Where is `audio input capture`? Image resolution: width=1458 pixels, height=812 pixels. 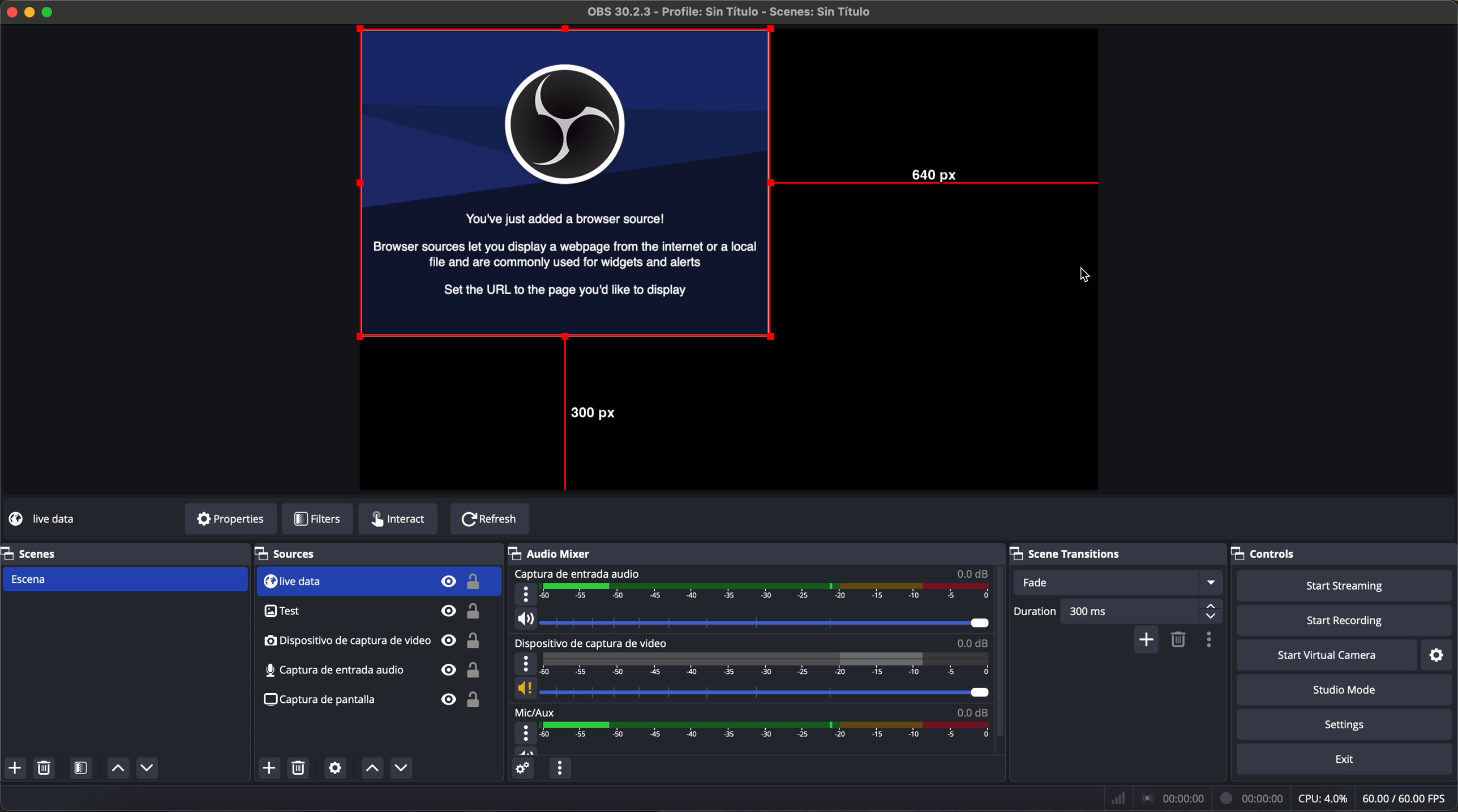 audio input capture is located at coordinates (578, 574).